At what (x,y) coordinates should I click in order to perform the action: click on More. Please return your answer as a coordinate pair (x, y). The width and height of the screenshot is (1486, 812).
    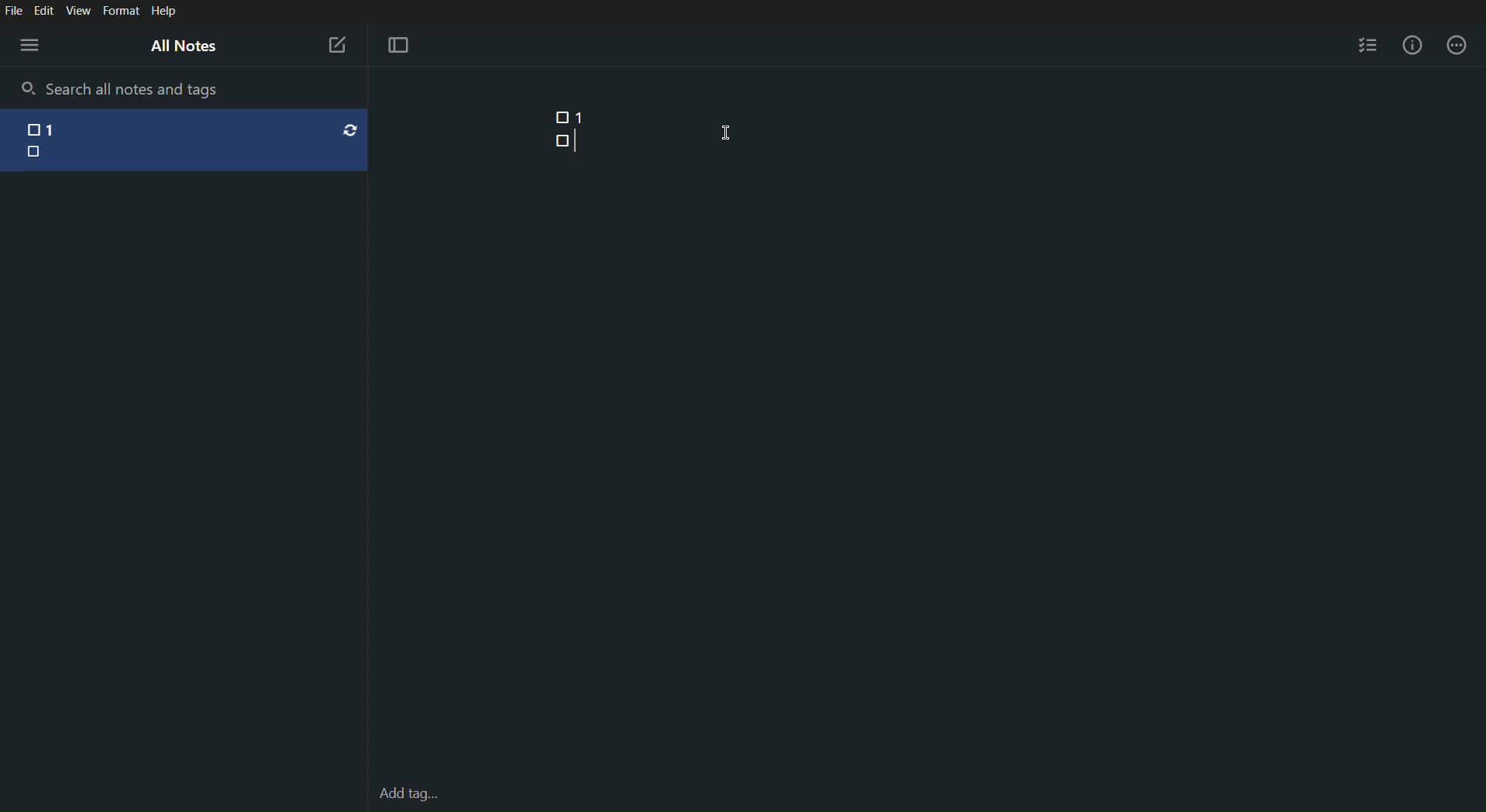
    Looking at the image, I should click on (1457, 45).